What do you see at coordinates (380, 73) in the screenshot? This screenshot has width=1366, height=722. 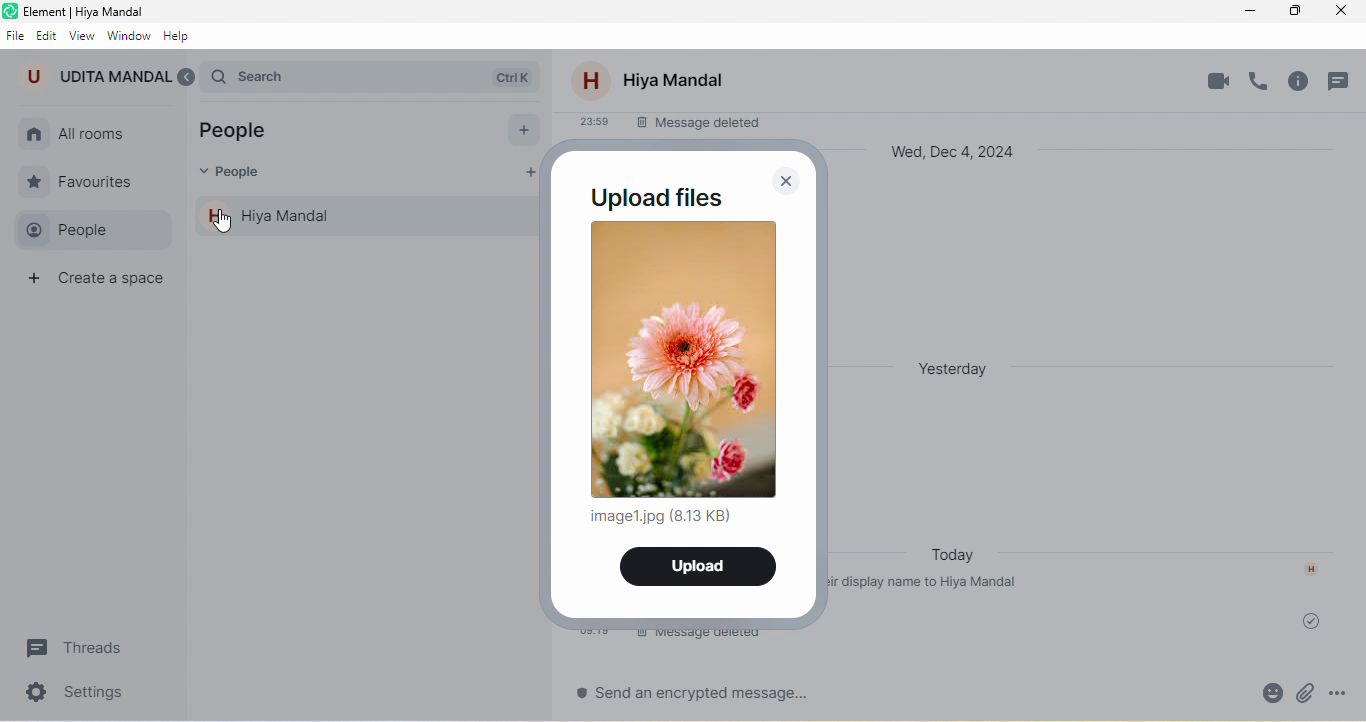 I see `search` at bounding box center [380, 73].